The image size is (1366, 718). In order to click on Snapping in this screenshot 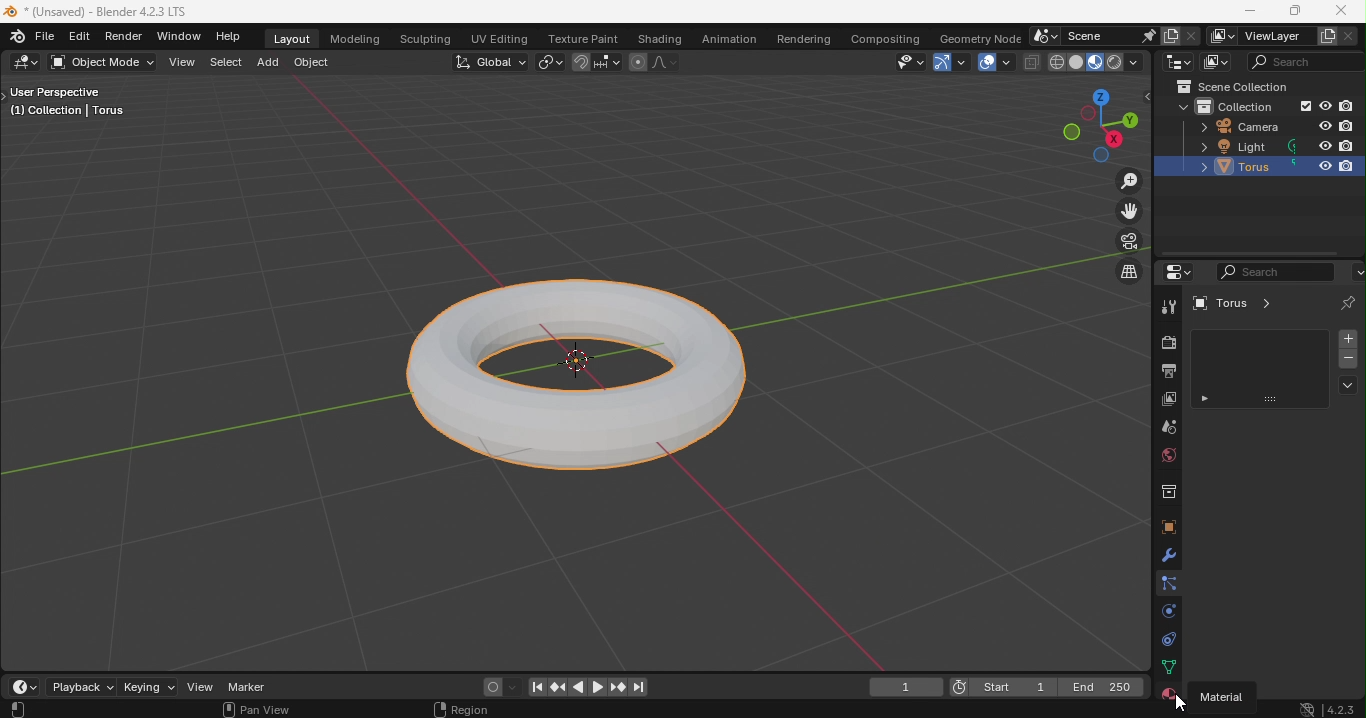, I will do `click(609, 61)`.